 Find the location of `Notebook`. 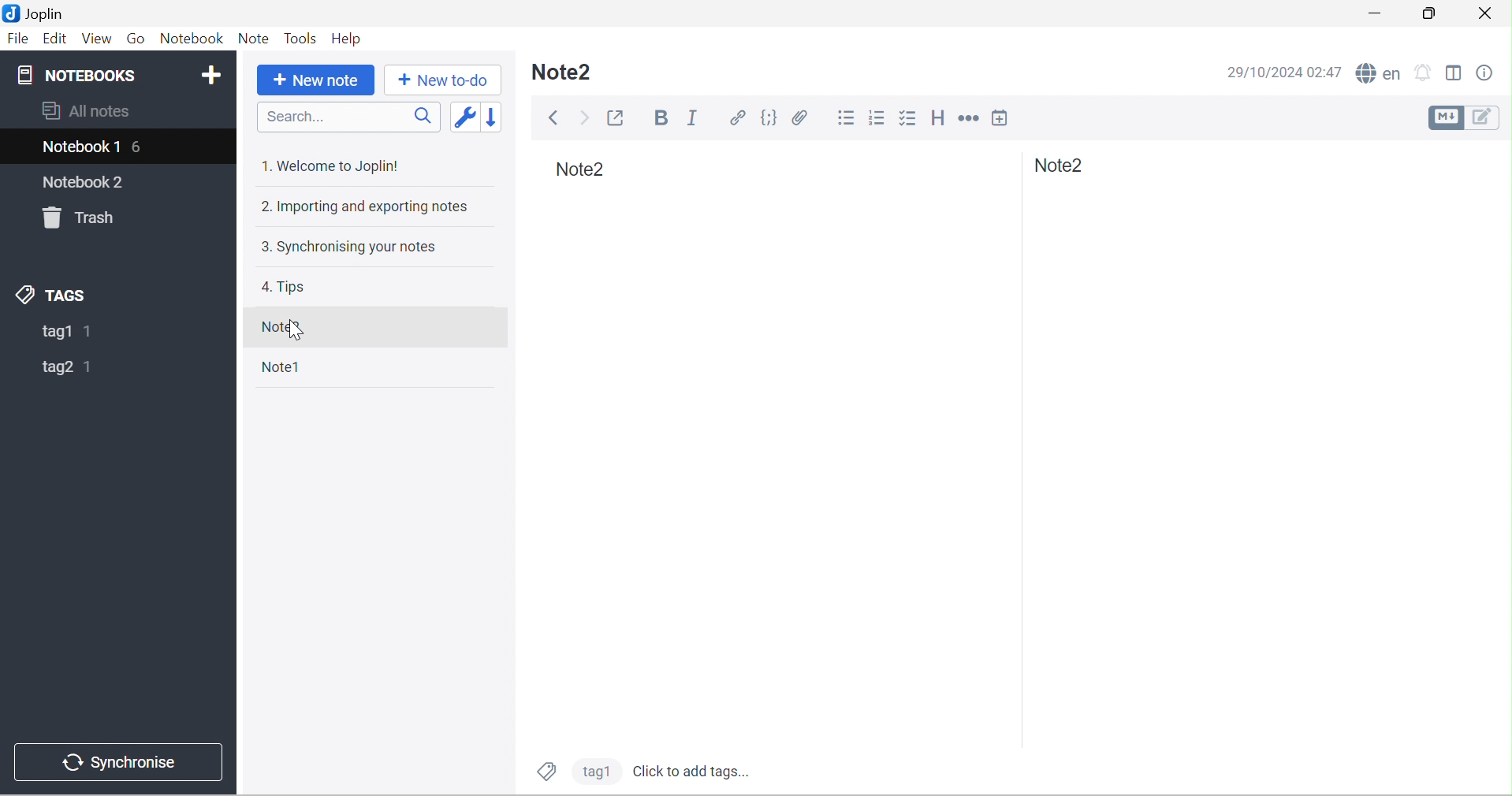

Notebook is located at coordinates (192, 39).